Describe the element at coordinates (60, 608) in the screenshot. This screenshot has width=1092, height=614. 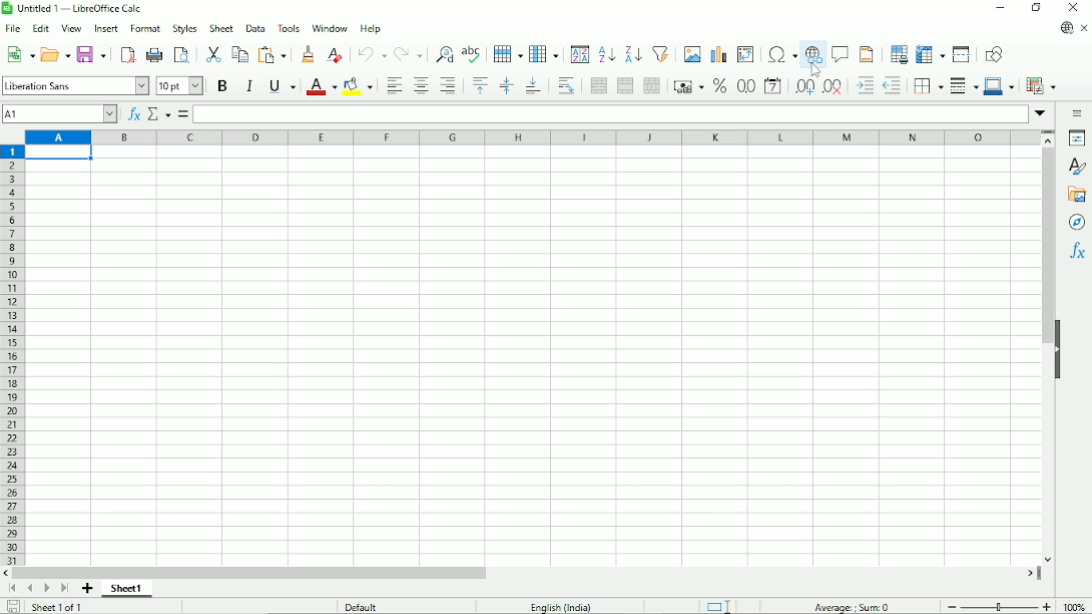
I see `Sheet 1 of 1` at that location.